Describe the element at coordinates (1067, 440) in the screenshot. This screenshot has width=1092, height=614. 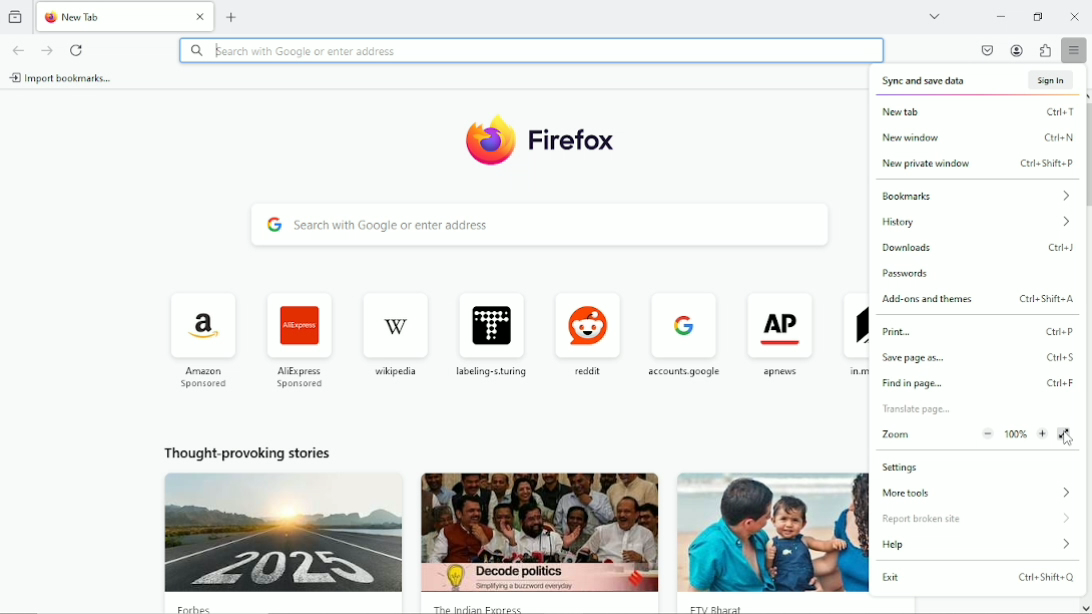
I see `cursor` at that location.